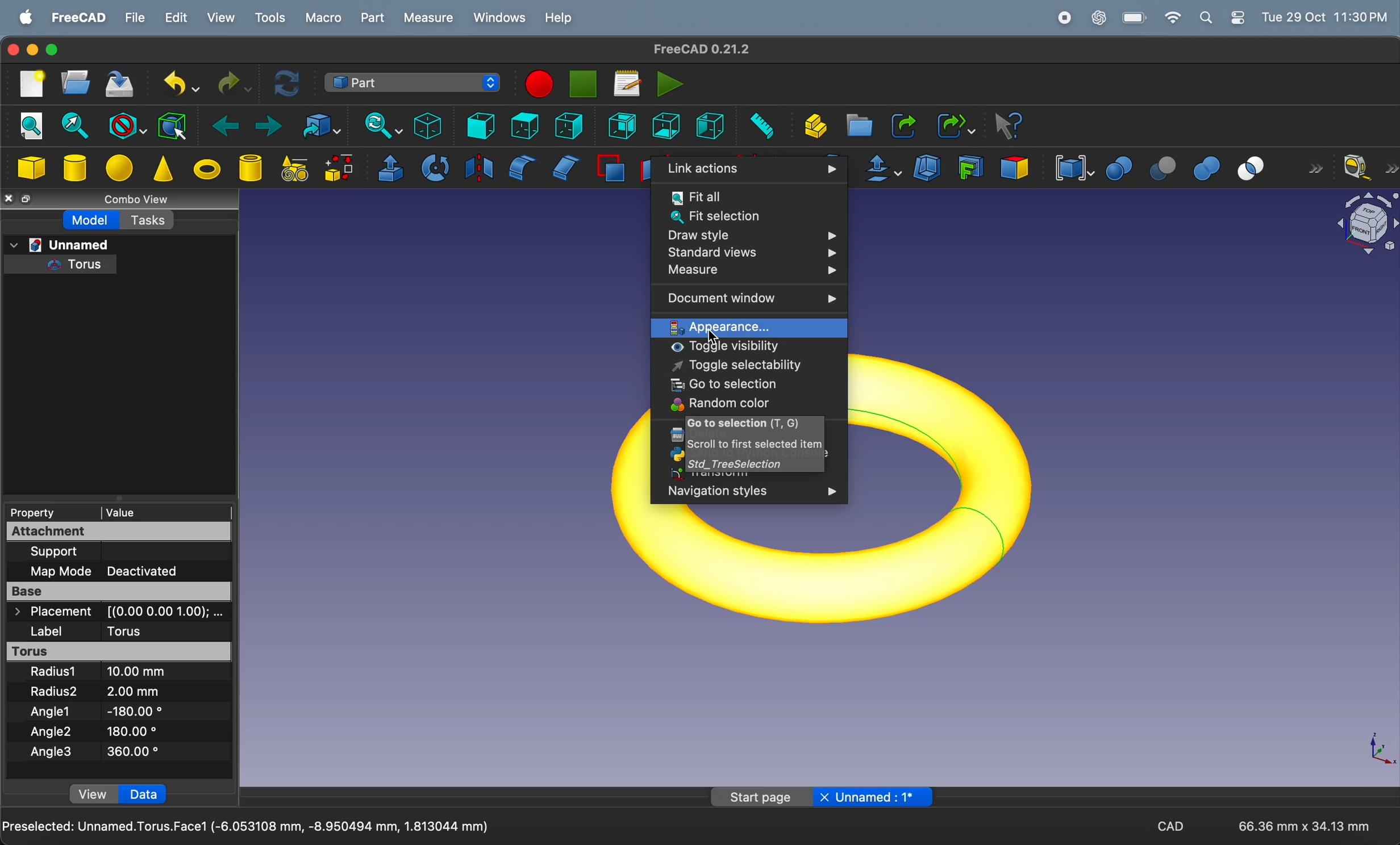  What do you see at coordinates (1174, 17) in the screenshot?
I see `wifi` at bounding box center [1174, 17].